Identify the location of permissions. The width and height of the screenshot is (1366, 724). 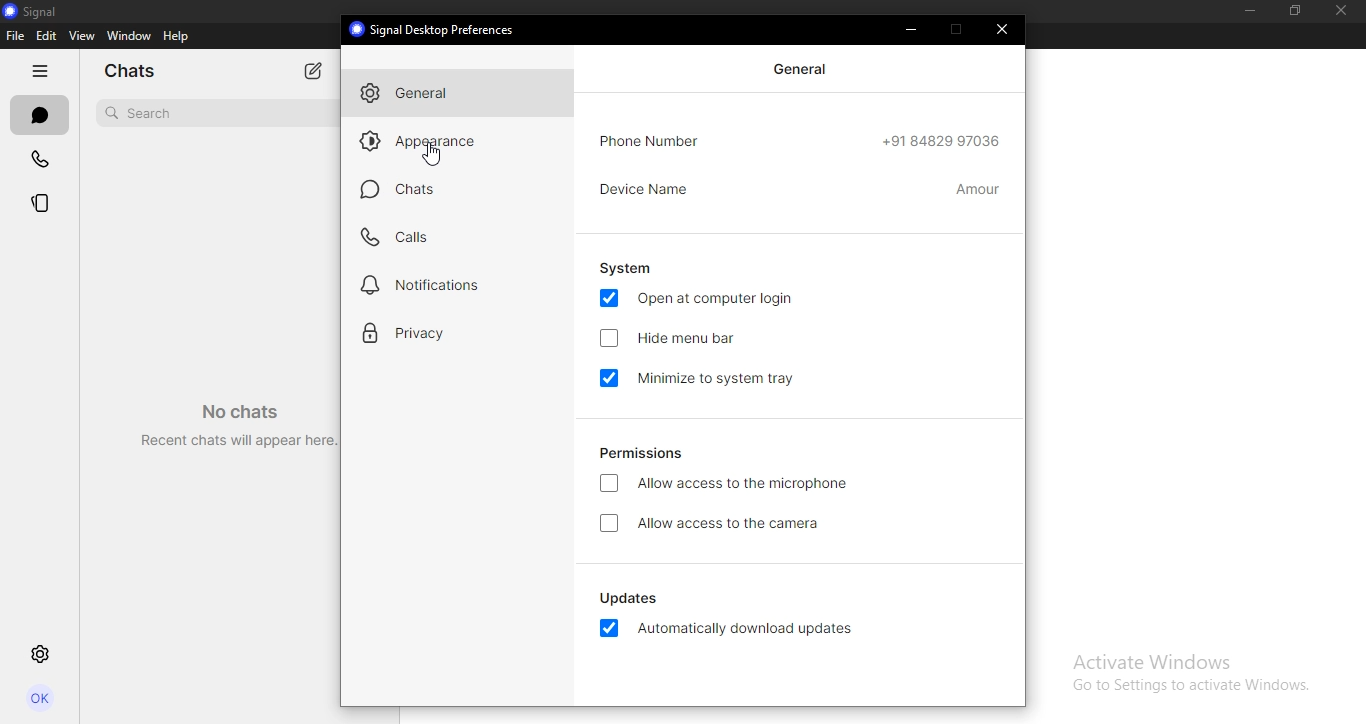
(653, 455).